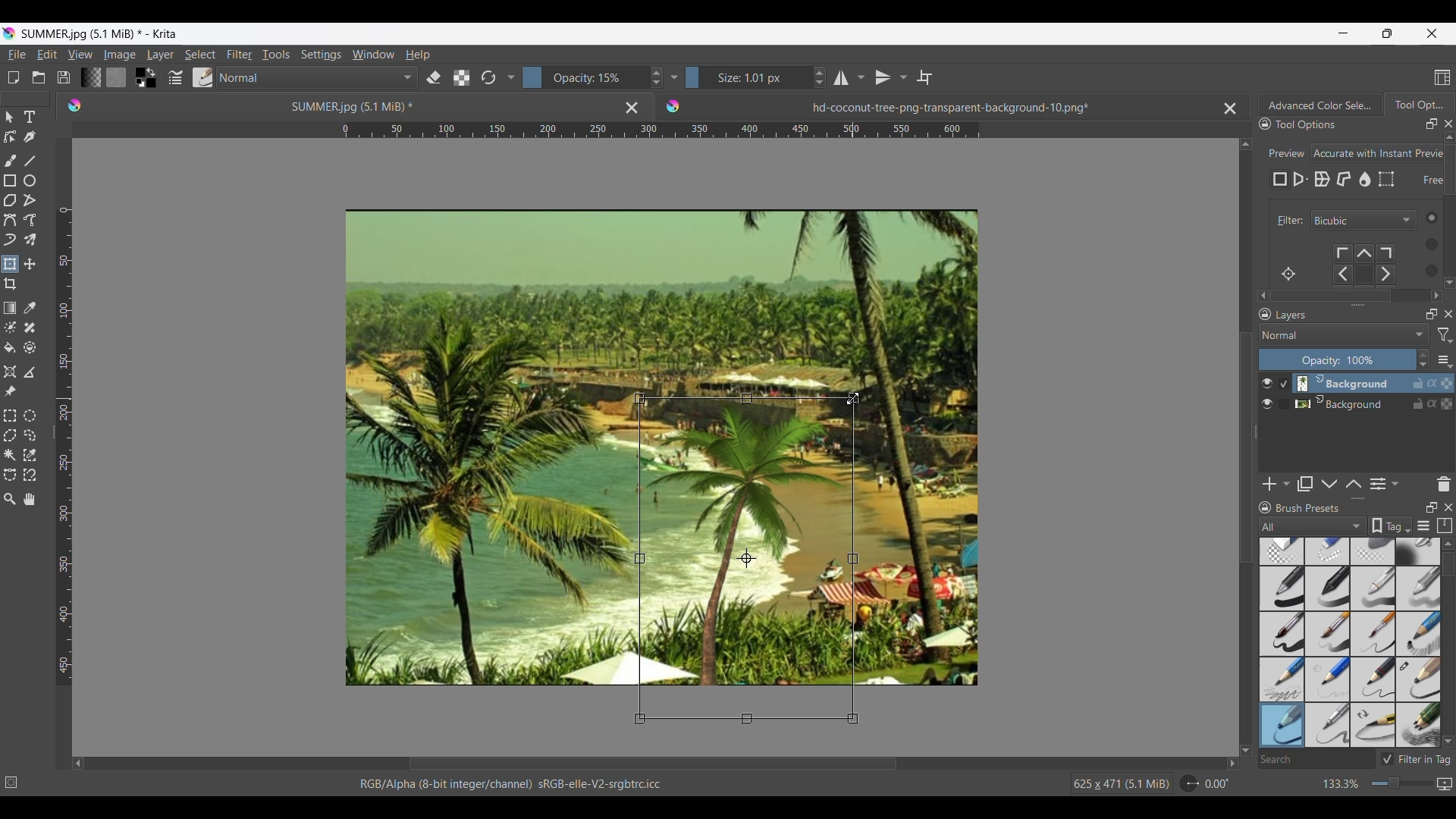 The width and height of the screenshot is (1456, 819). I want to click on pencil 3 - large 4b, so click(1419, 680).